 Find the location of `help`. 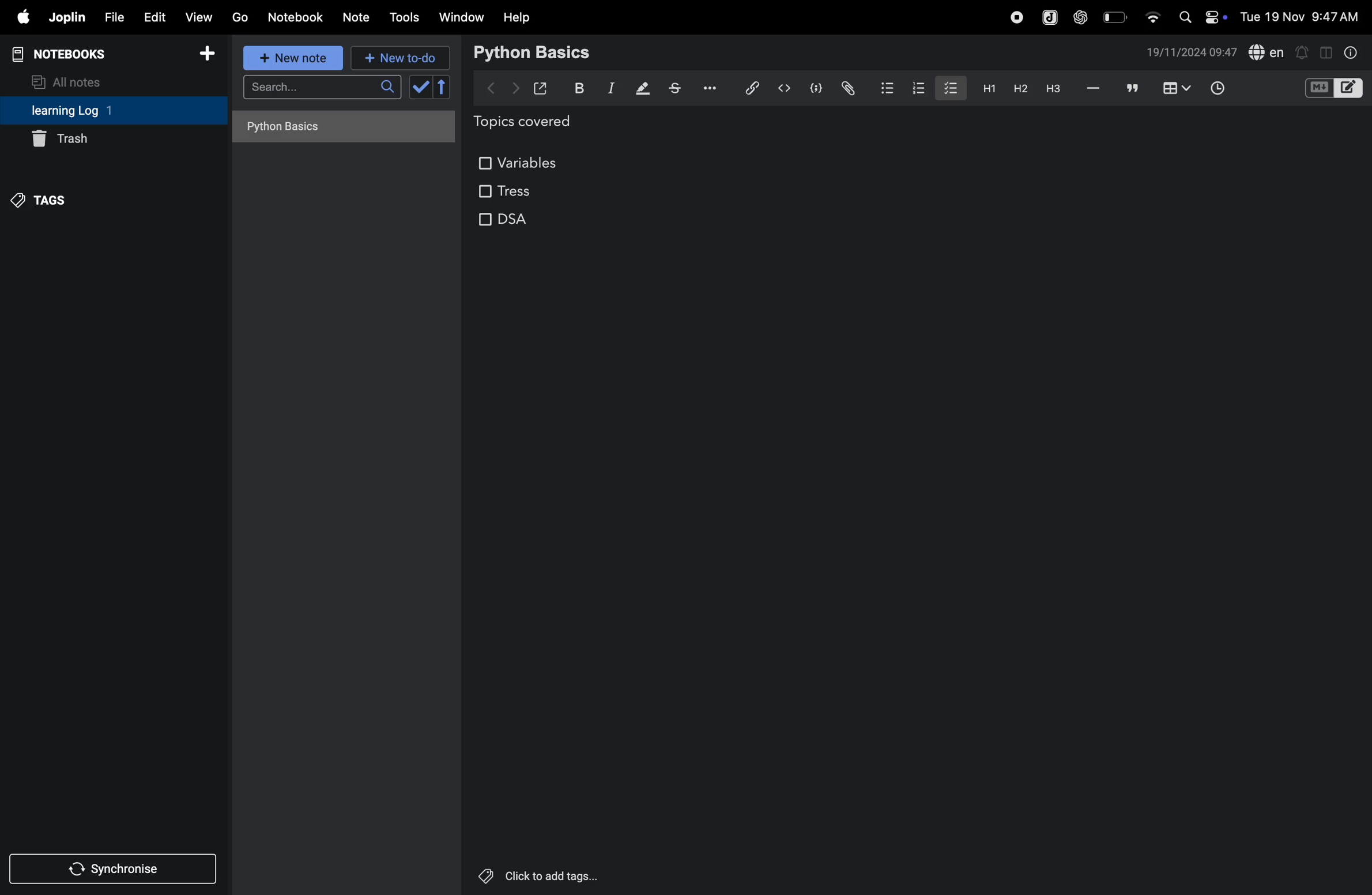

help is located at coordinates (517, 17).